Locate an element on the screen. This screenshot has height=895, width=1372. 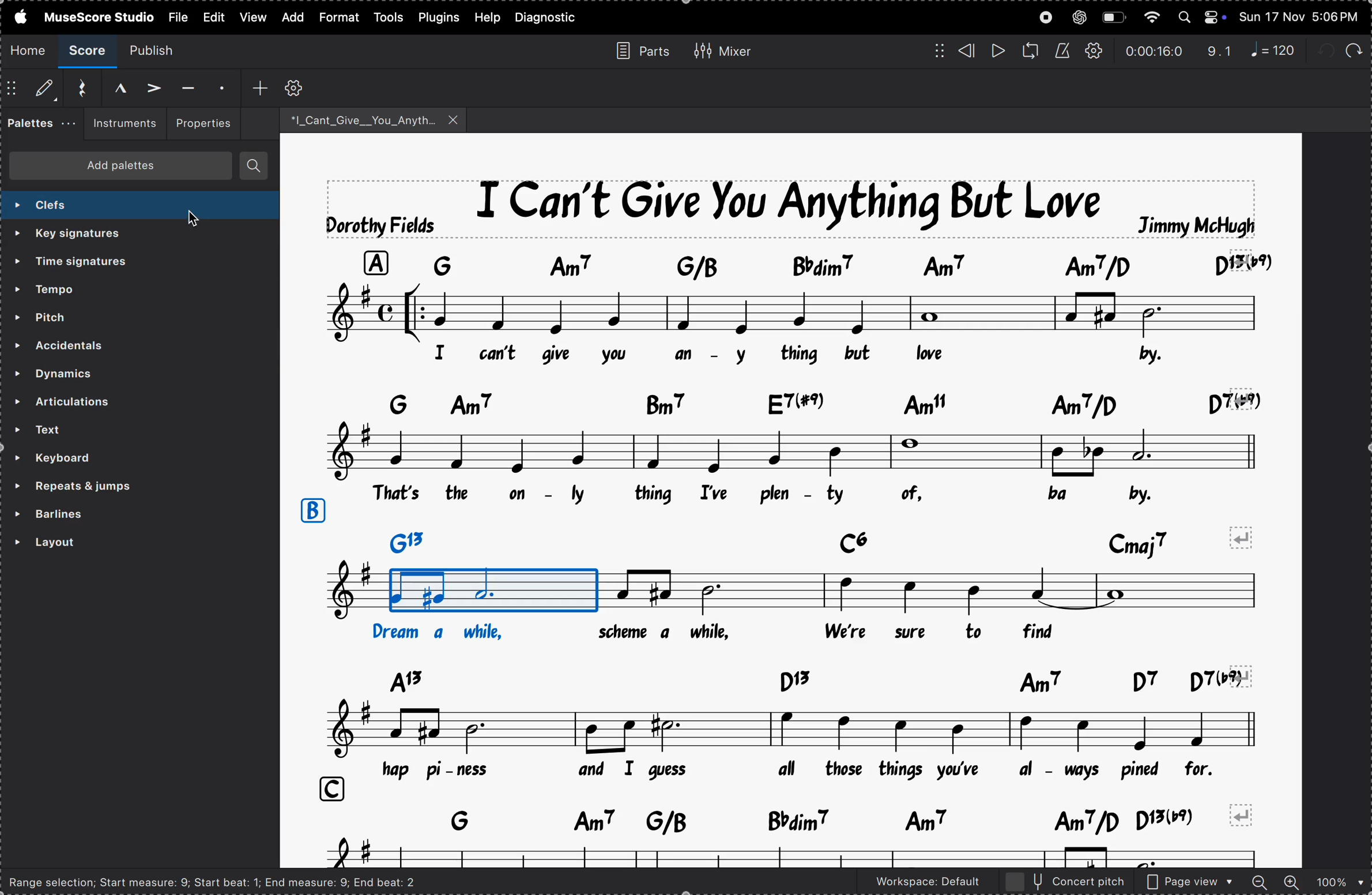
metronome is located at coordinates (1062, 51).